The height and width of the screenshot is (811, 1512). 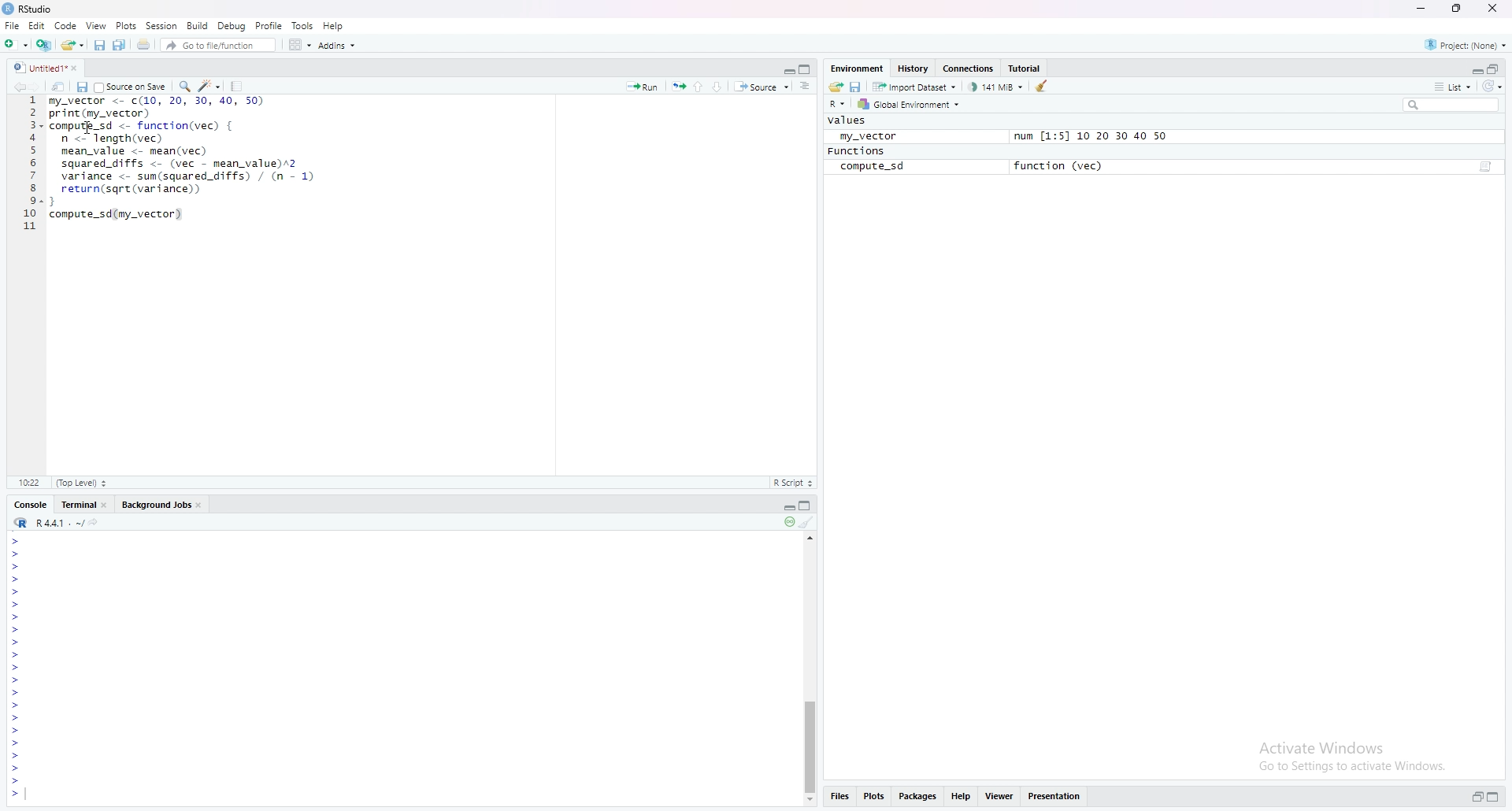 I want to click on New Project, so click(x=16, y=43).